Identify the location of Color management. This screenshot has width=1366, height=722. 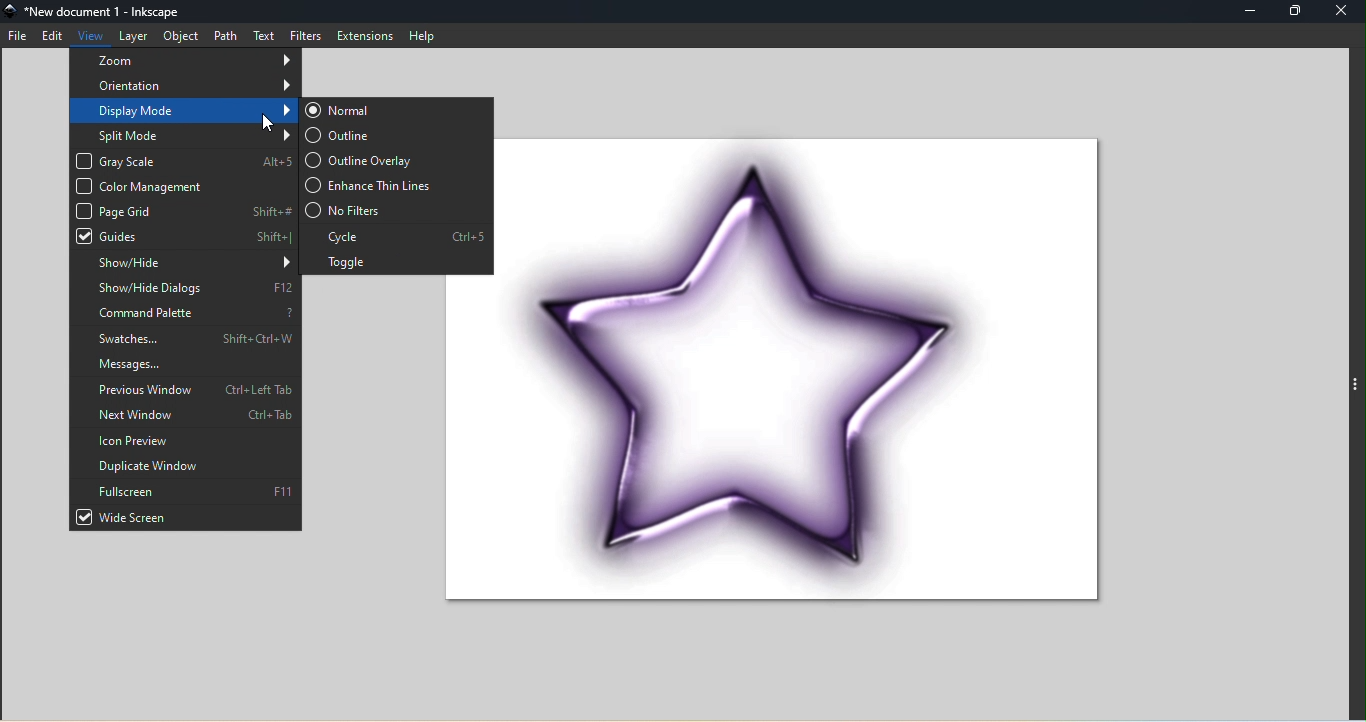
(183, 185).